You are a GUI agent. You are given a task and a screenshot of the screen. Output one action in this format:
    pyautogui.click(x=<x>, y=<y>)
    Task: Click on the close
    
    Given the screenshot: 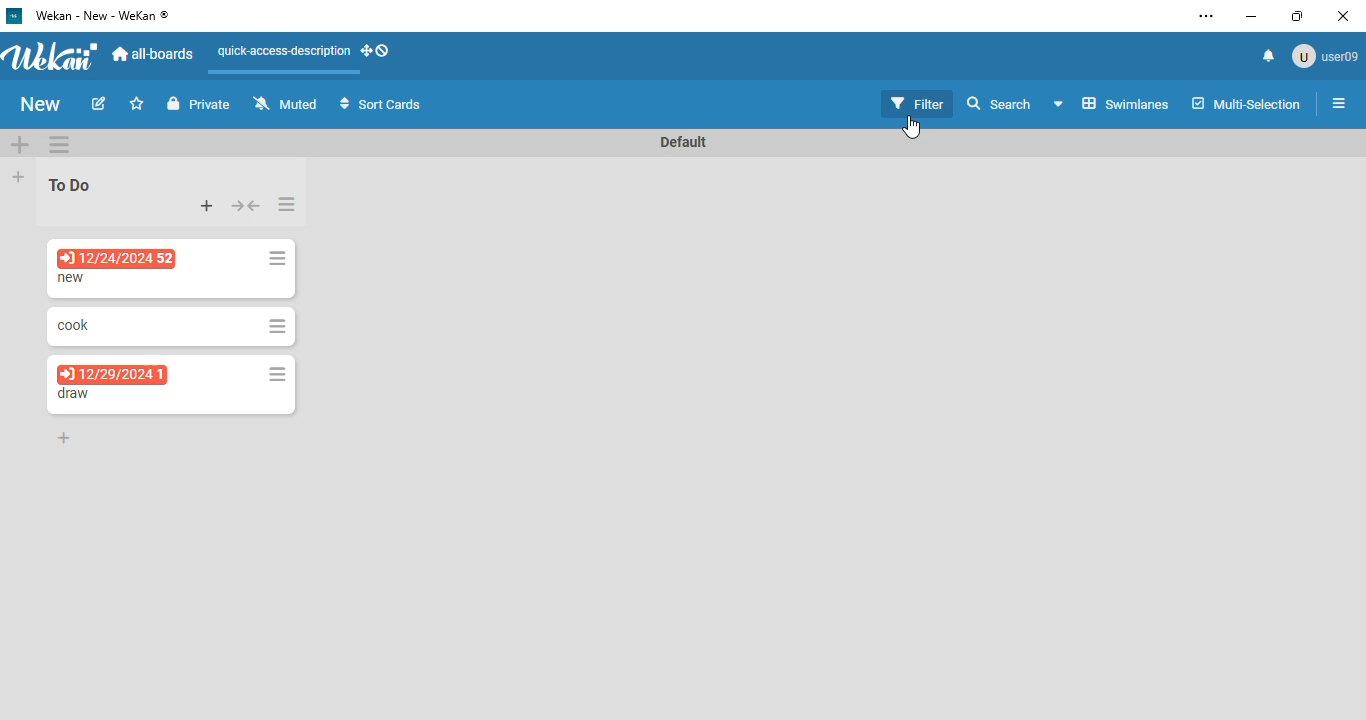 What is the action you would take?
    pyautogui.click(x=1340, y=16)
    